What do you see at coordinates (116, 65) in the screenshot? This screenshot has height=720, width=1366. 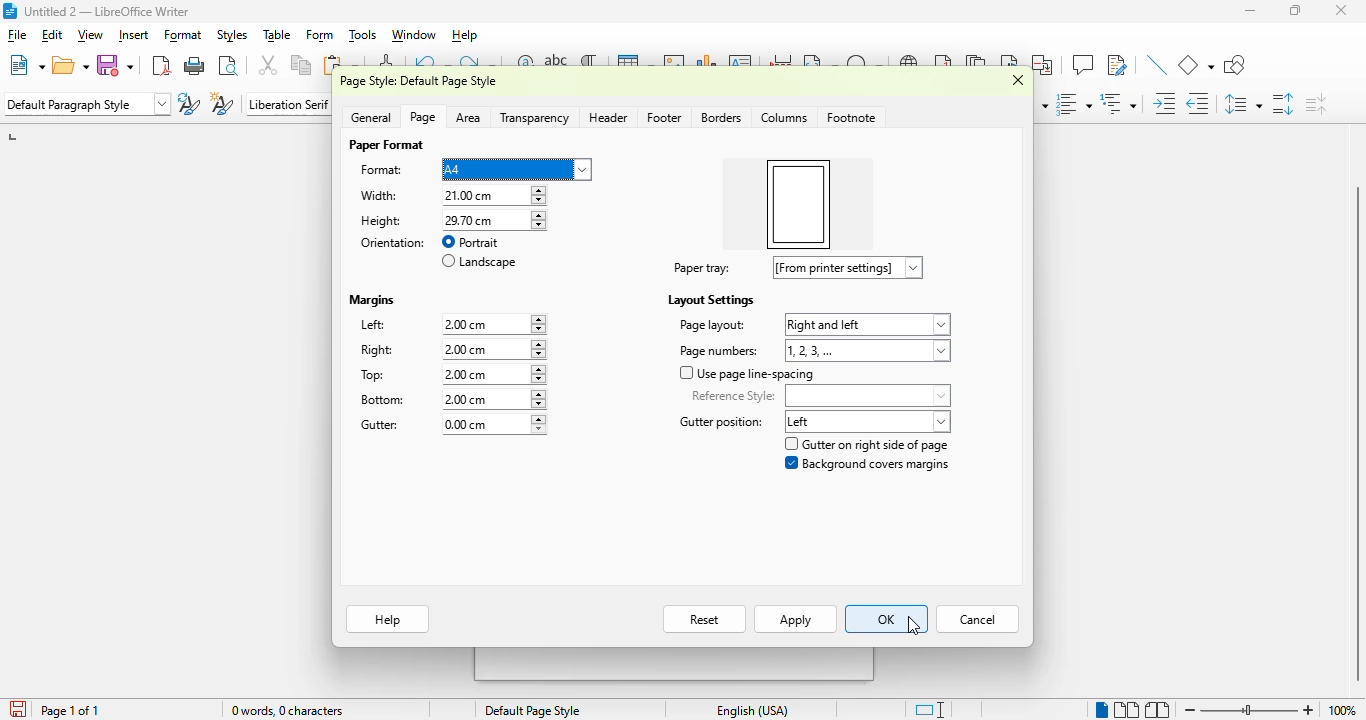 I see `save` at bounding box center [116, 65].